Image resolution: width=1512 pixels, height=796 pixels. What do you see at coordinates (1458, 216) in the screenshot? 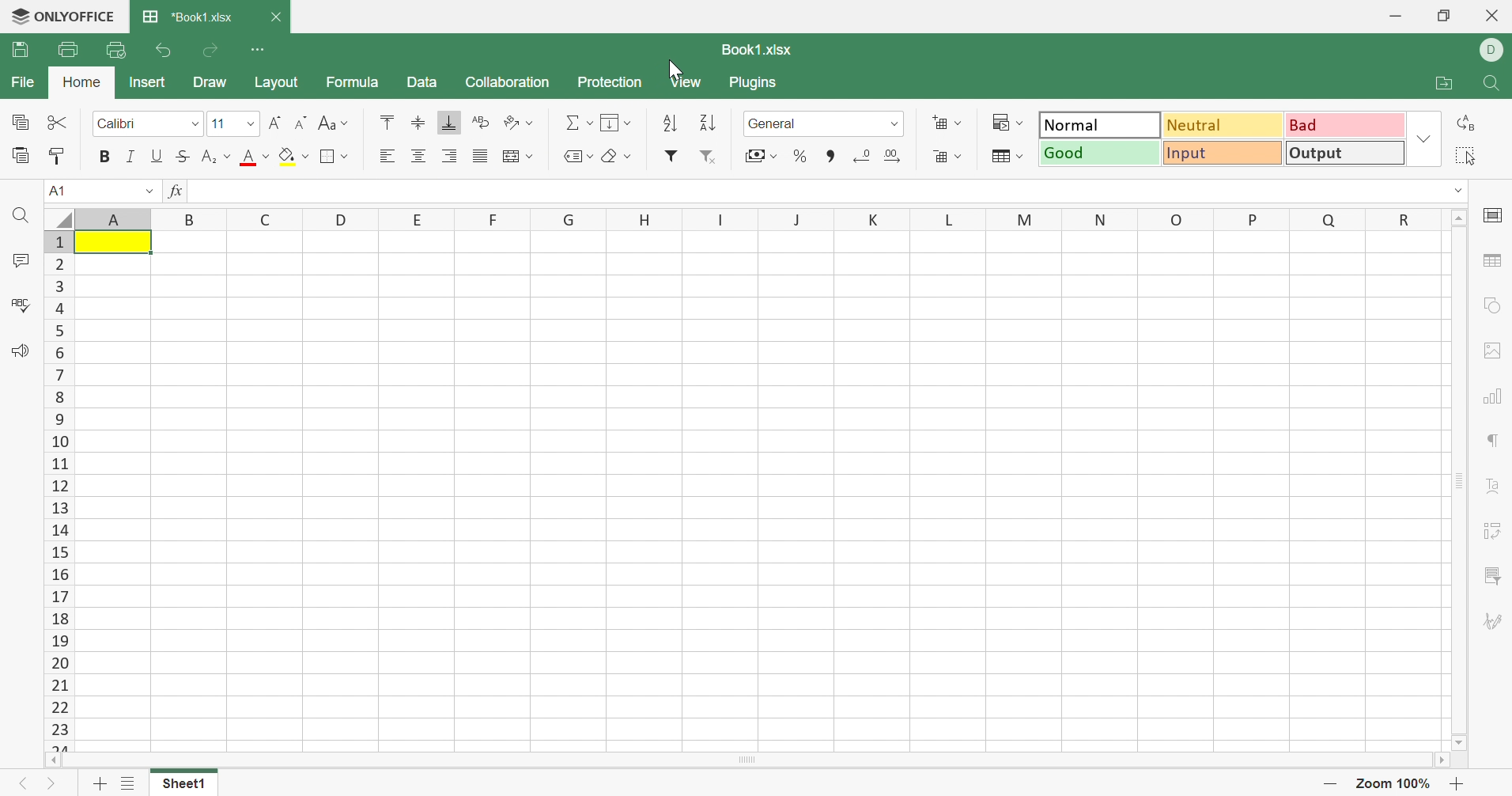
I see `Scroll Up` at bounding box center [1458, 216].